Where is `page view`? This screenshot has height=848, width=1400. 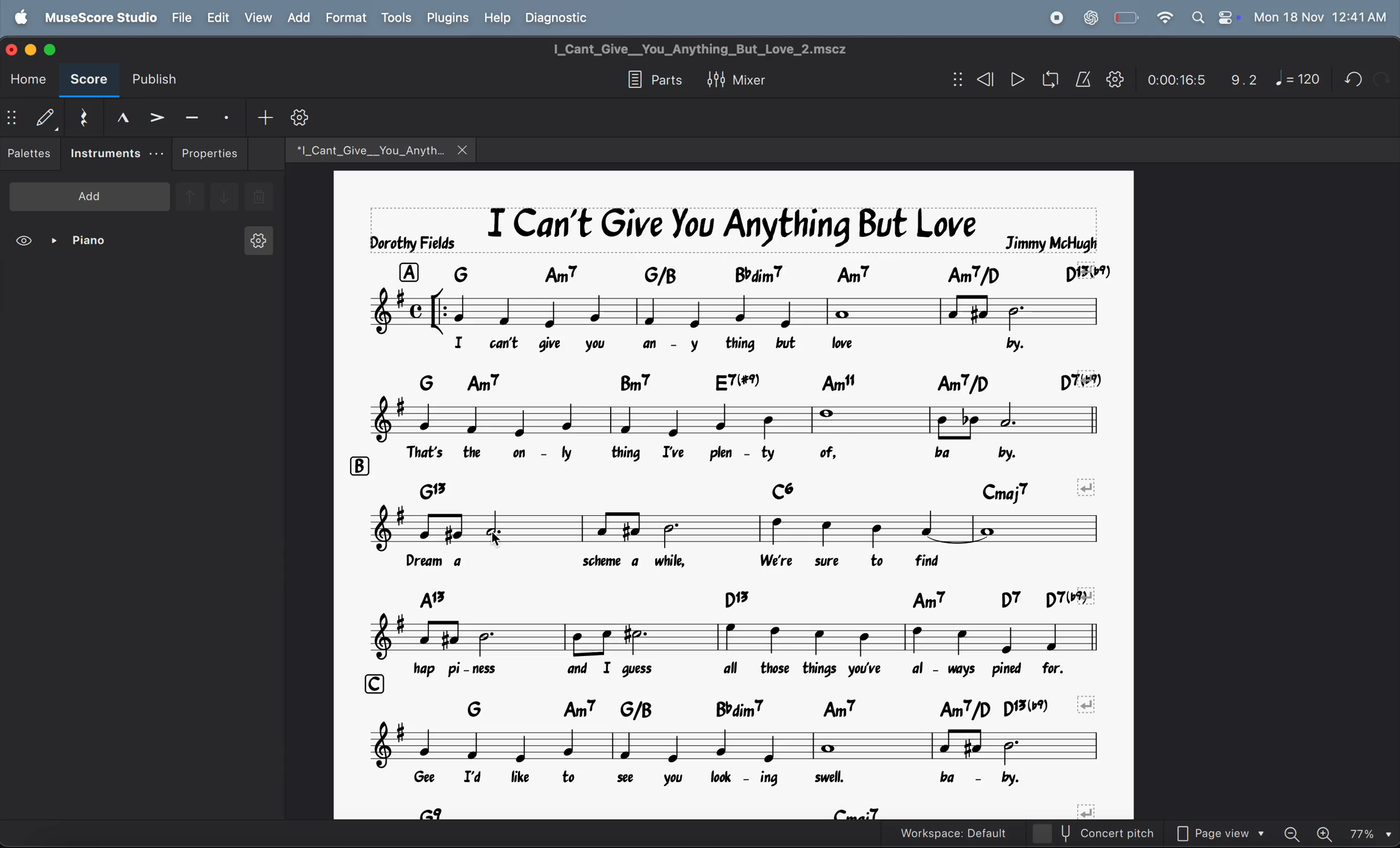
page view is located at coordinates (1218, 831).